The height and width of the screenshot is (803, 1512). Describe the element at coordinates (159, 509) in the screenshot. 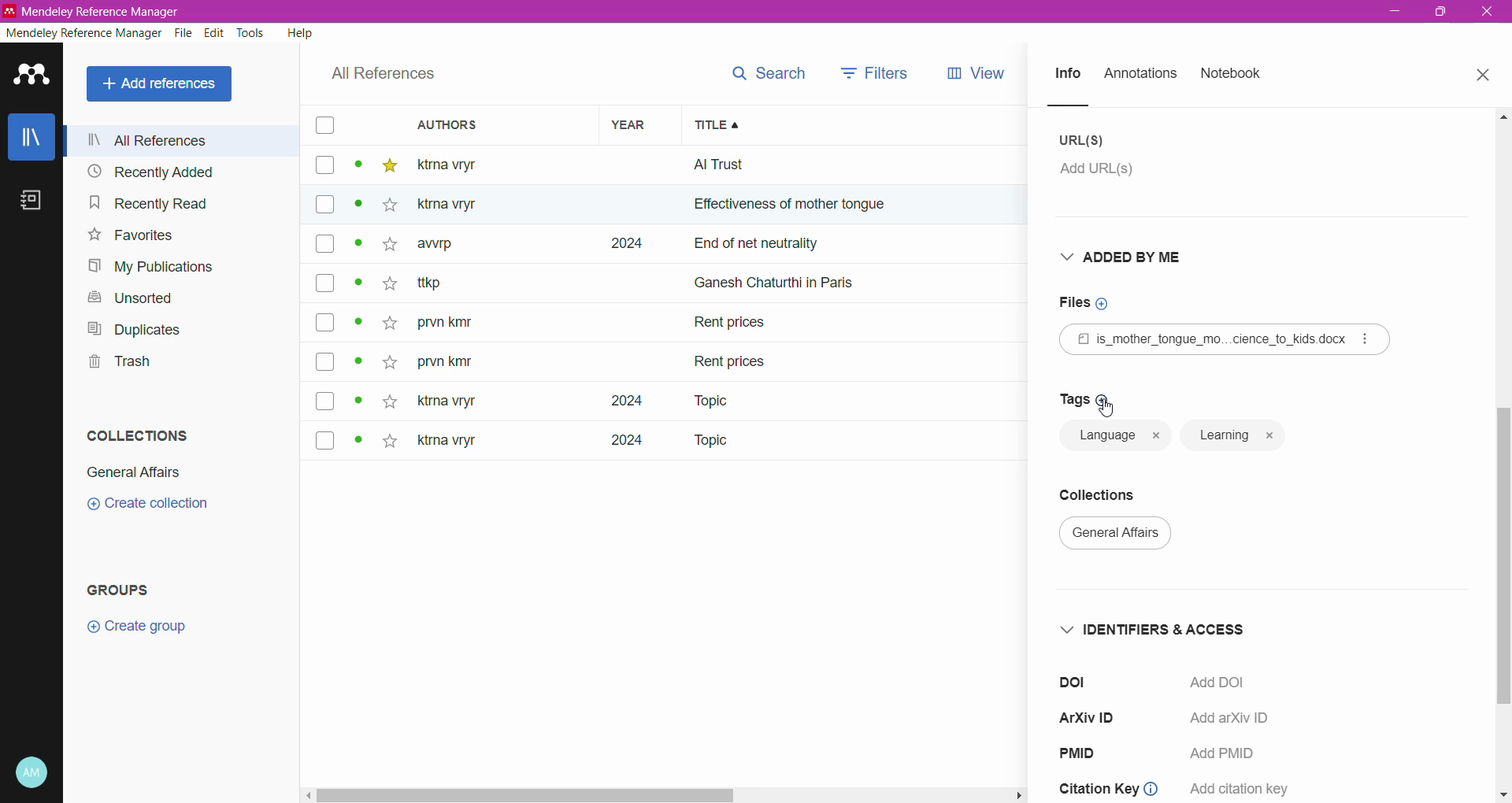

I see `create collection` at that location.